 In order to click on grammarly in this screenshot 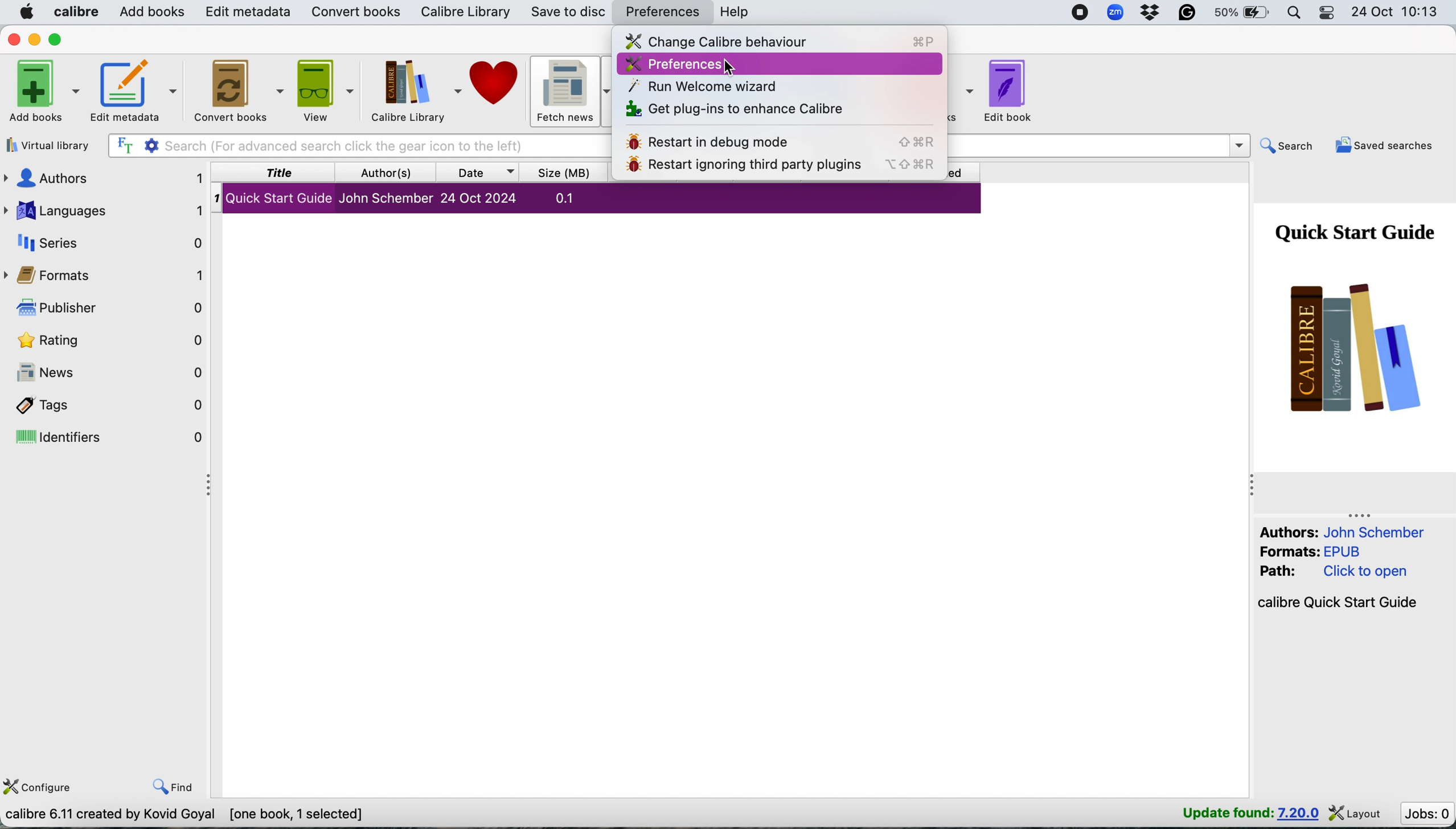, I will do `click(1186, 12)`.